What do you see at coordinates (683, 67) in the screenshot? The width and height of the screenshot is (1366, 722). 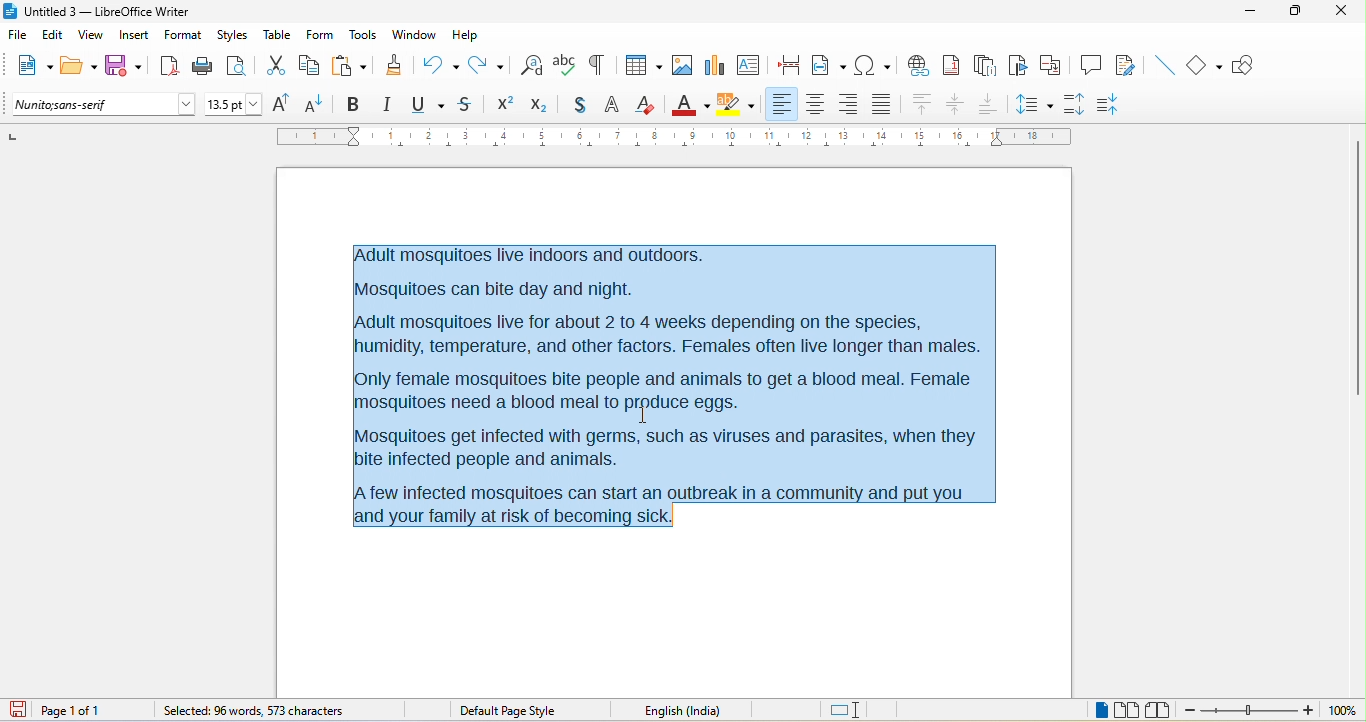 I see `image` at bounding box center [683, 67].